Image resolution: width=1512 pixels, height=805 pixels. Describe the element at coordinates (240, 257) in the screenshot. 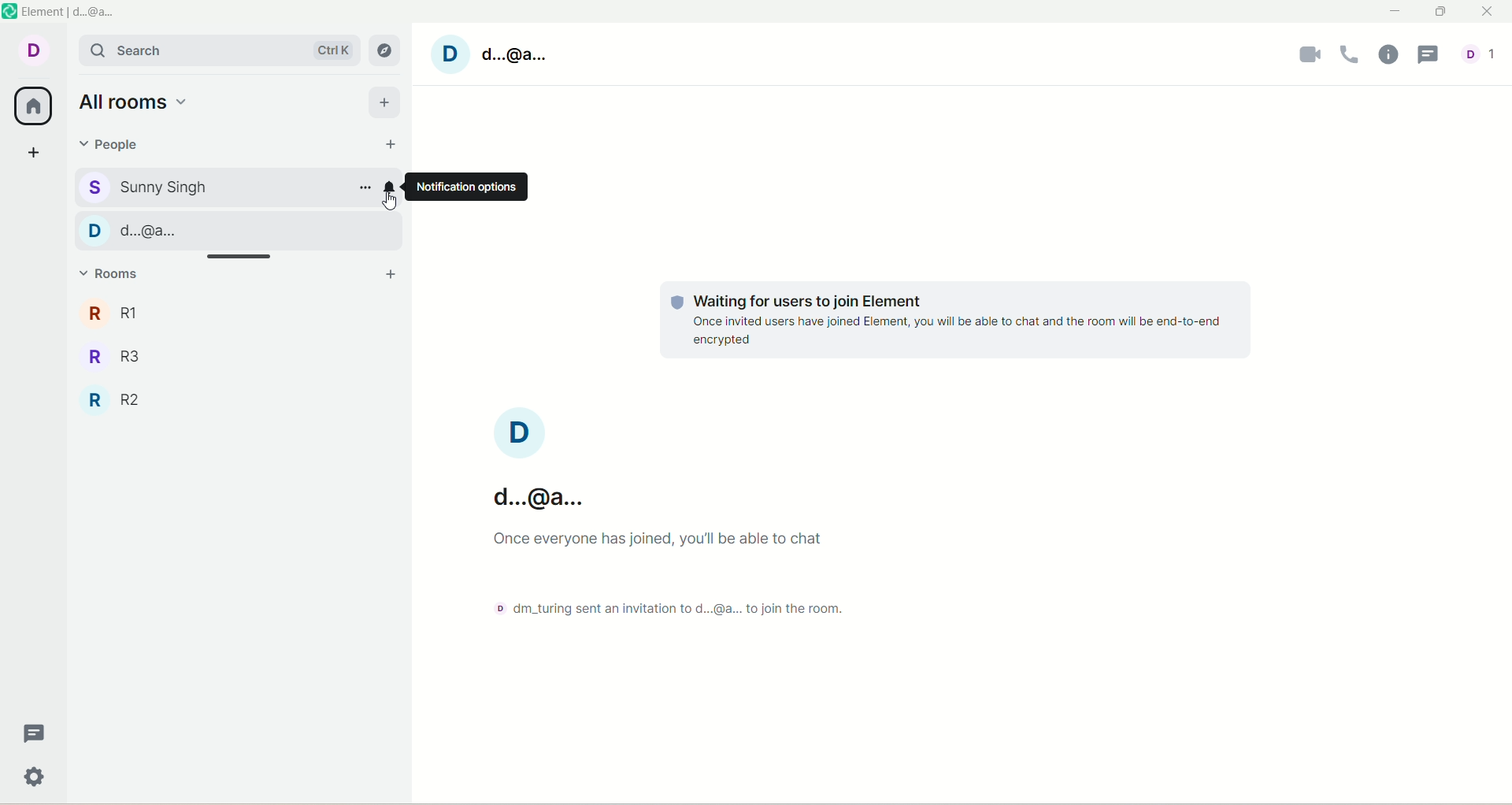

I see `drag` at that location.